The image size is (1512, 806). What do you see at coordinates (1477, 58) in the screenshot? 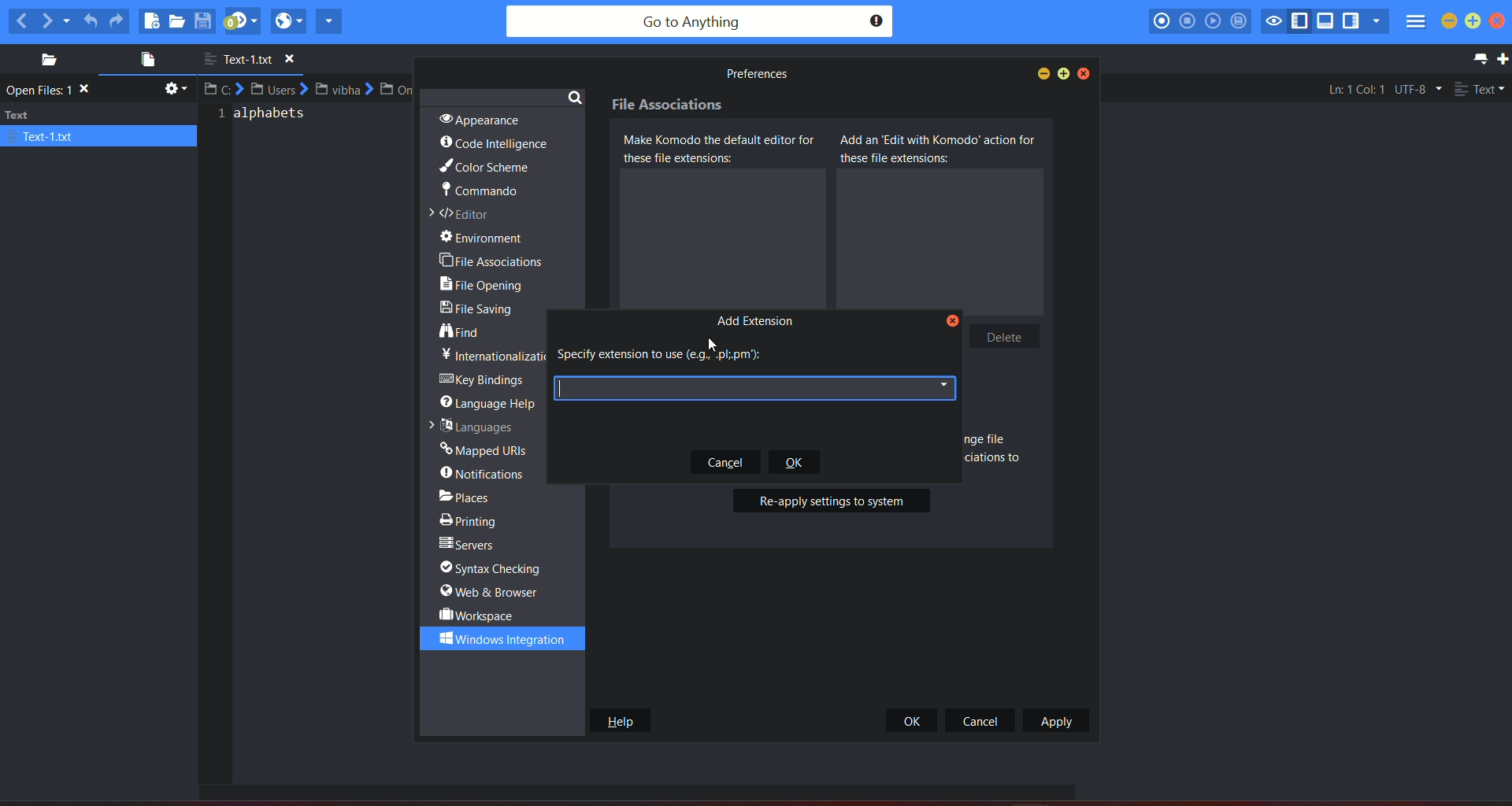
I see `list all tab` at bounding box center [1477, 58].